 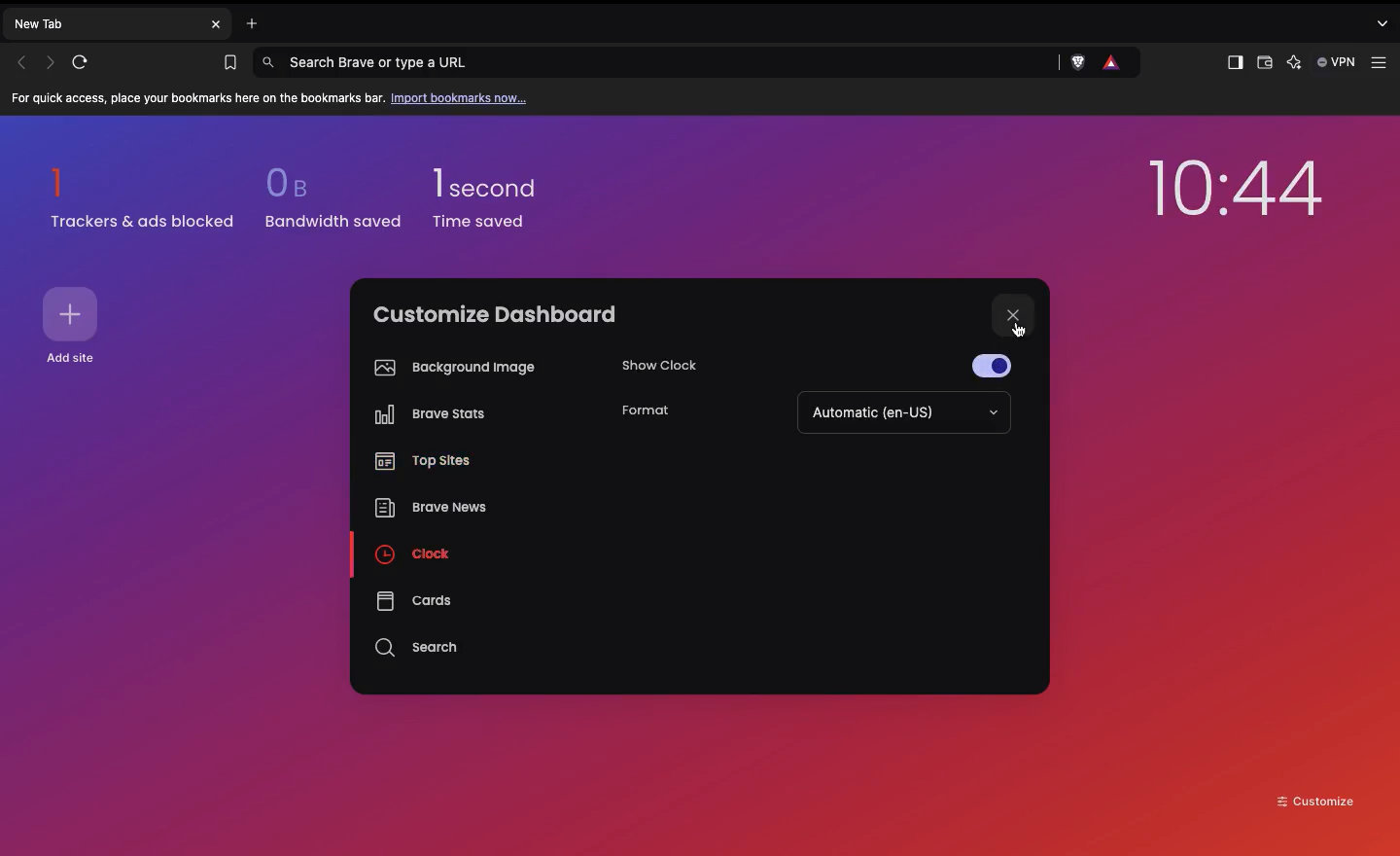 I want to click on On clock, so click(x=417, y=553).